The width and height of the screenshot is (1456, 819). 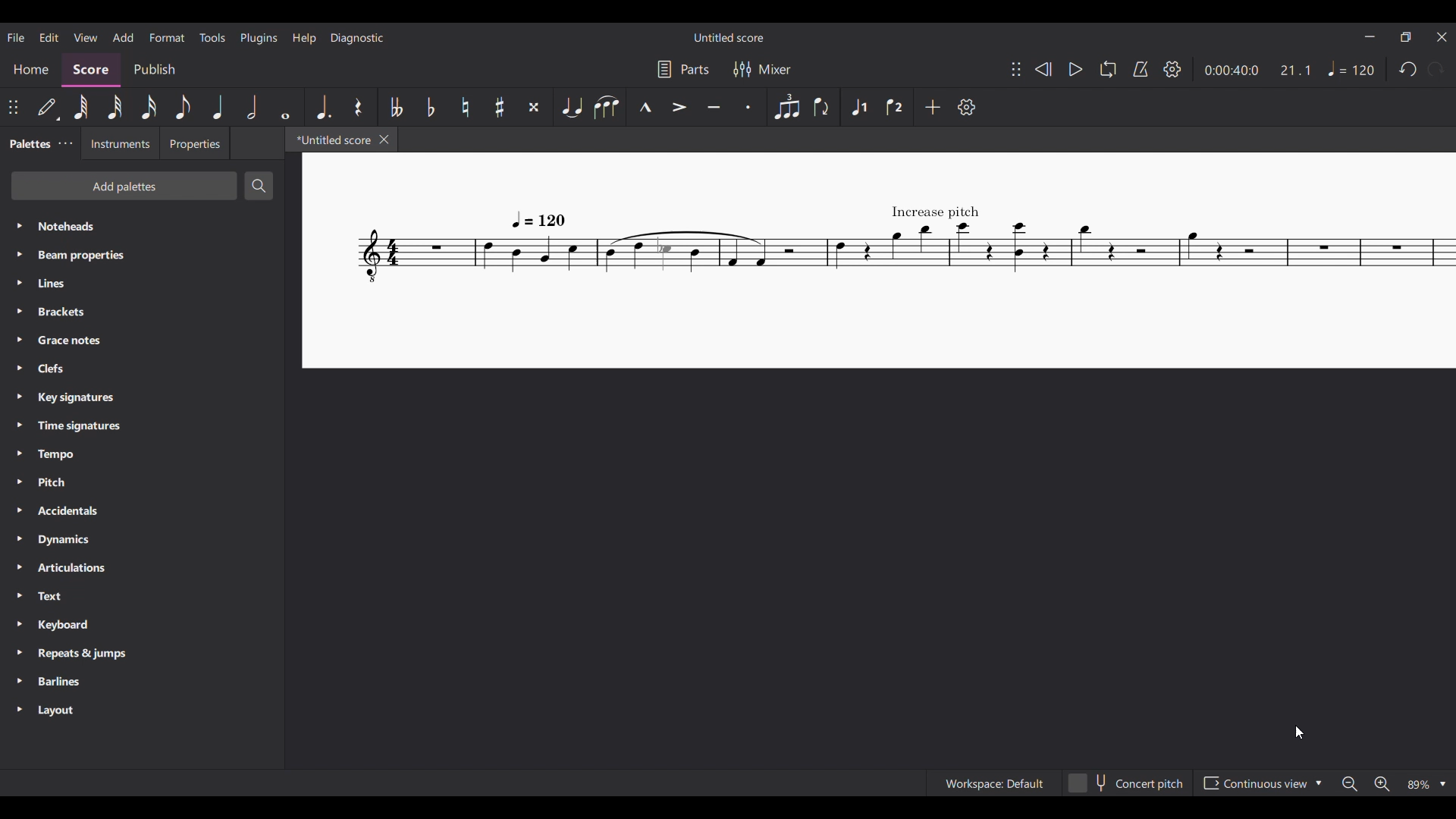 What do you see at coordinates (1172, 69) in the screenshot?
I see `Settings` at bounding box center [1172, 69].